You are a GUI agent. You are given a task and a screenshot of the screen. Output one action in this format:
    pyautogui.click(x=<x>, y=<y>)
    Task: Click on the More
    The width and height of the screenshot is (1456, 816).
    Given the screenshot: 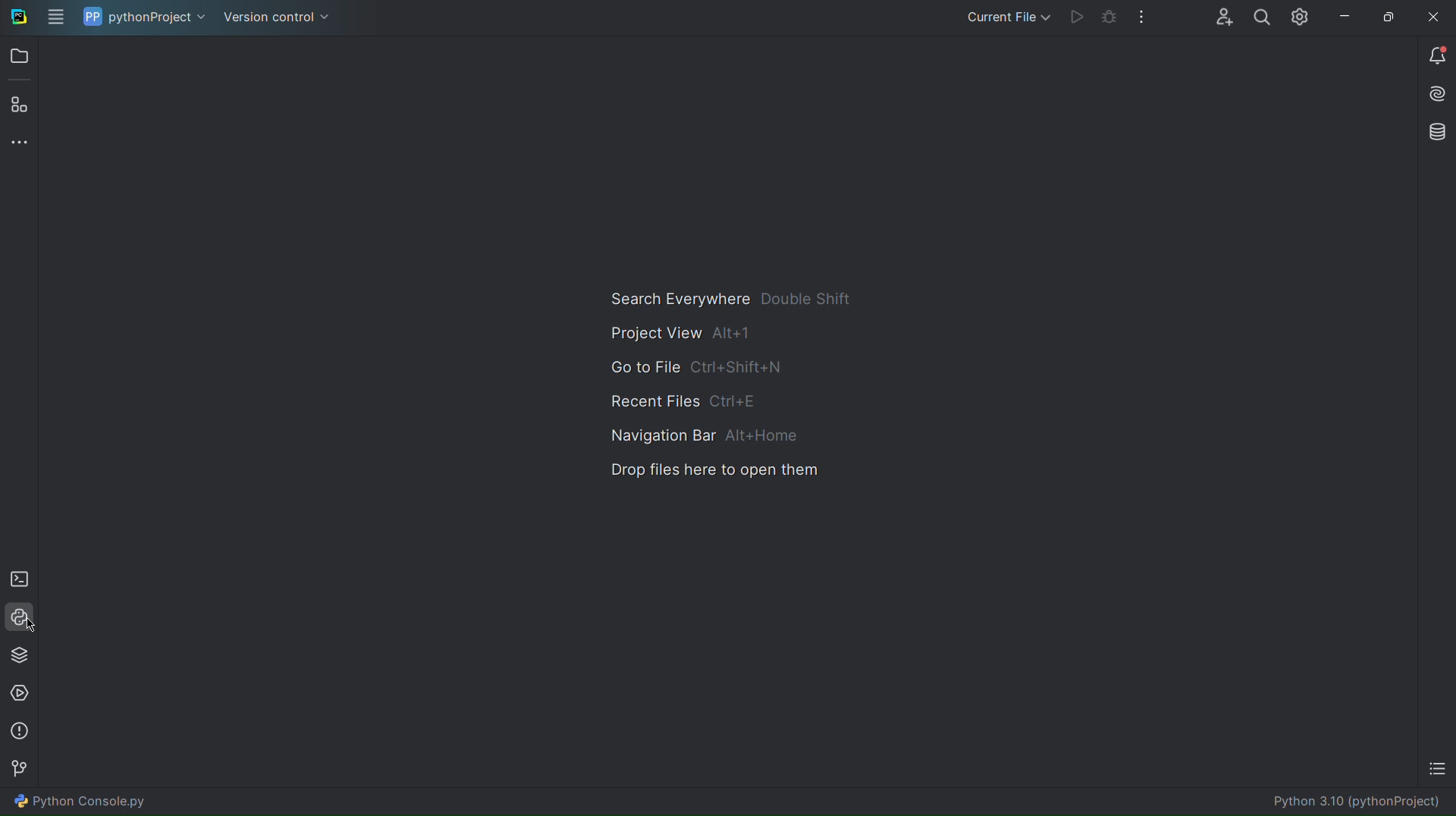 What is the action you would take?
    pyautogui.click(x=1137, y=18)
    